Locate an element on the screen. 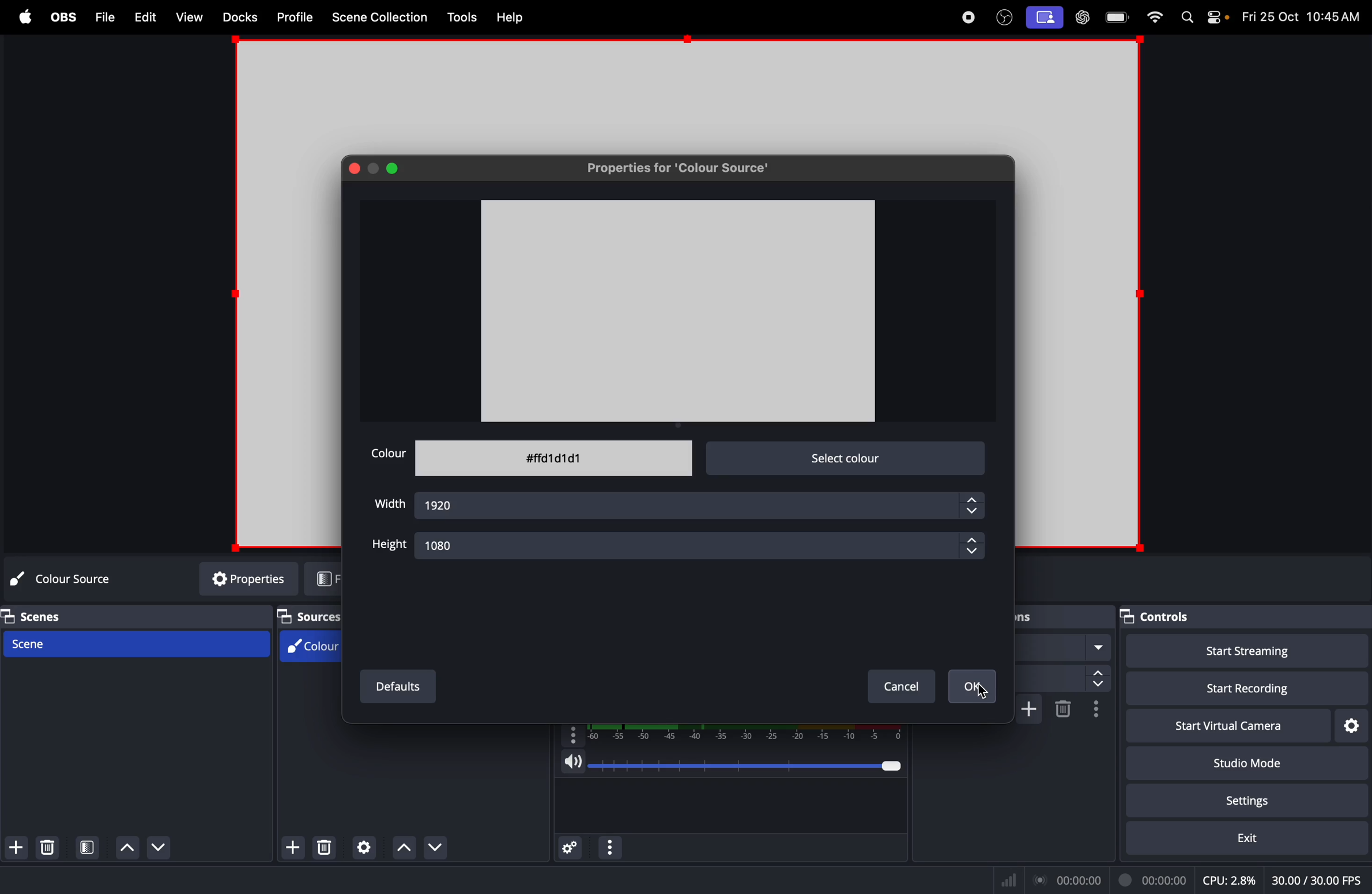 This screenshot has height=894, width=1372. add source is located at coordinates (291, 848).